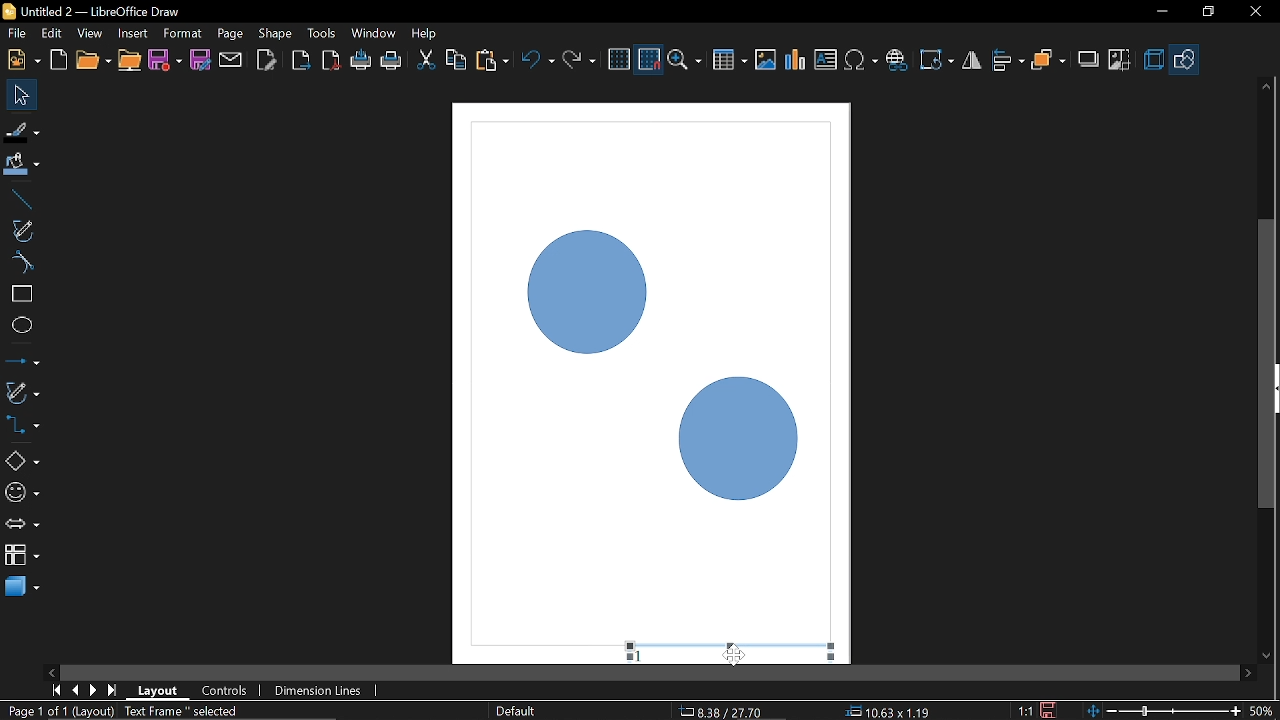 This screenshot has width=1280, height=720. I want to click on symbol shapes, so click(22, 496).